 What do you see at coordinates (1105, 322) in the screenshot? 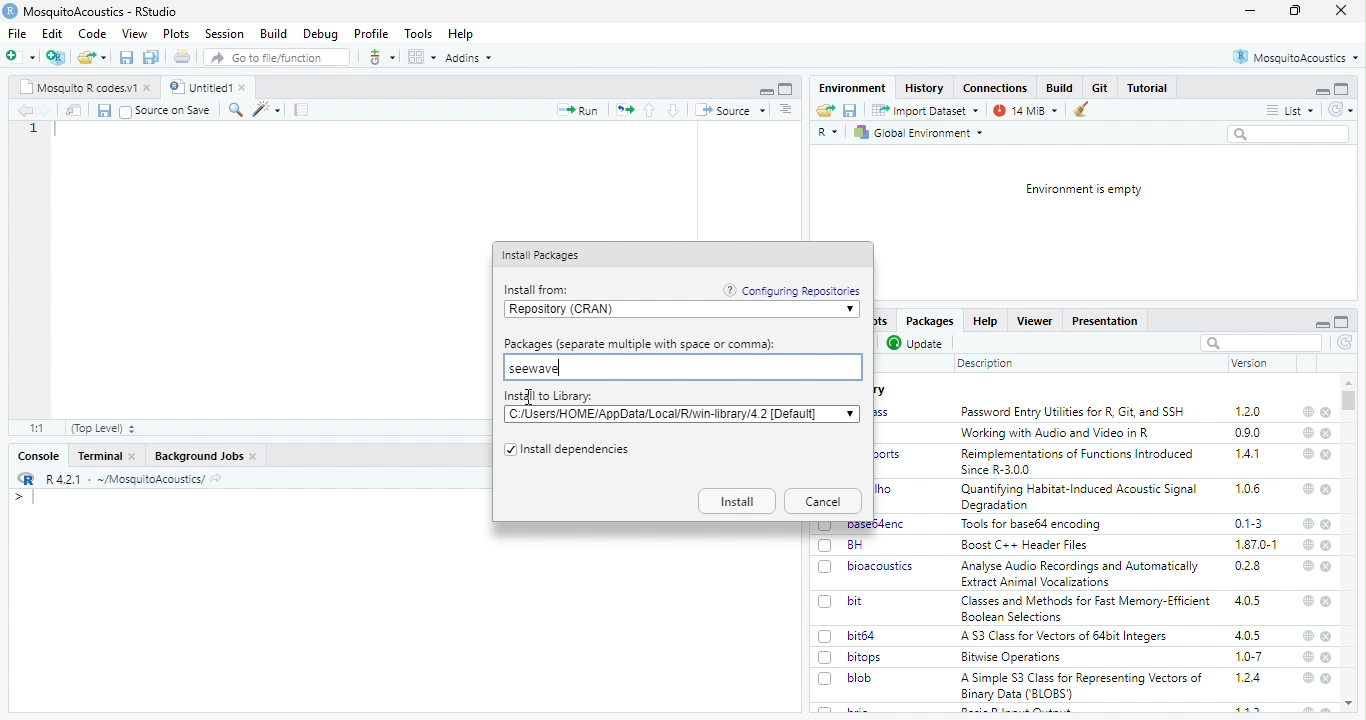
I see `Presentation` at bounding box center [1105, 322].